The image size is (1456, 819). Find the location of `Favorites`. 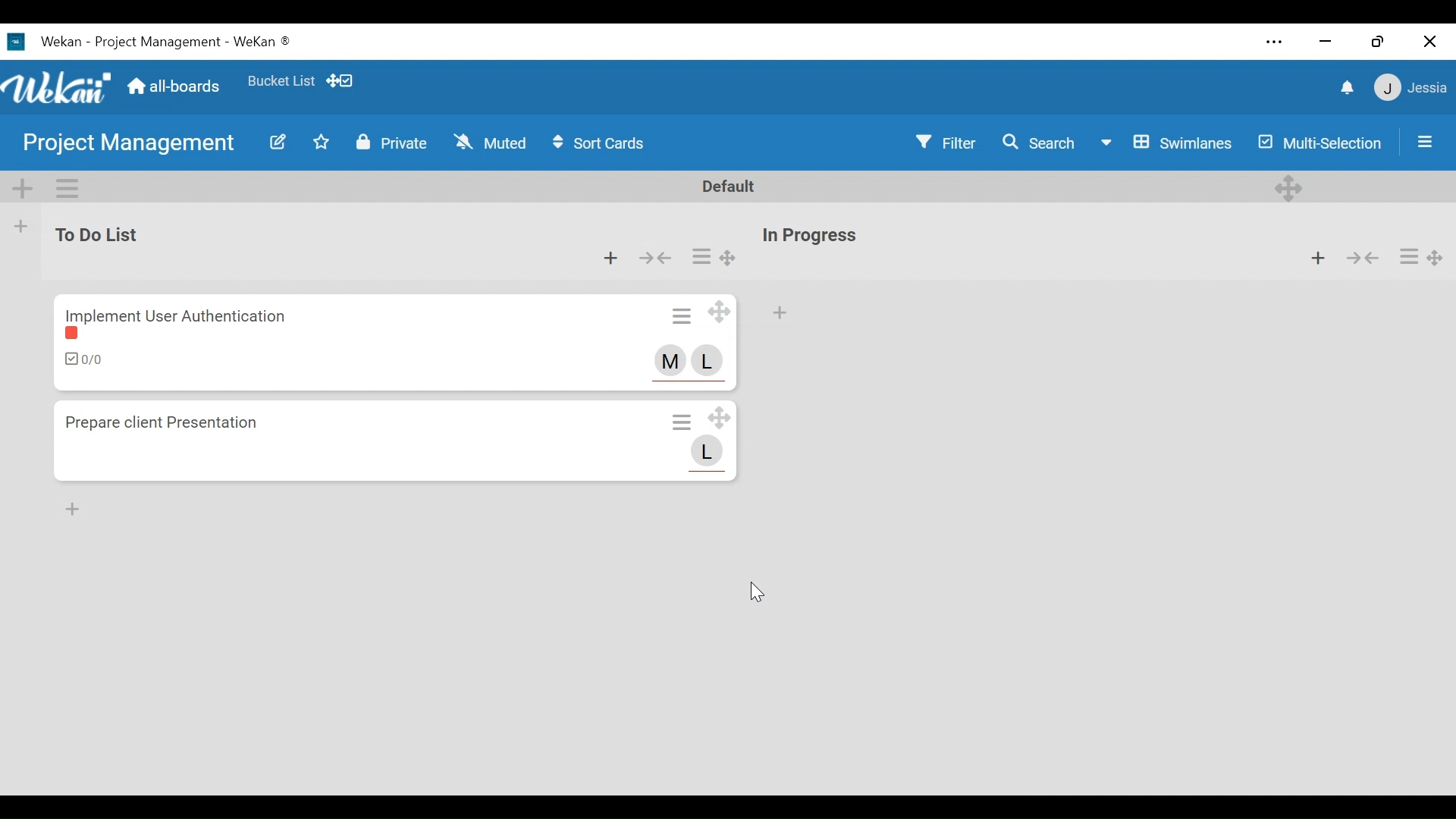

Favorites is located at coordinates (281, 81).